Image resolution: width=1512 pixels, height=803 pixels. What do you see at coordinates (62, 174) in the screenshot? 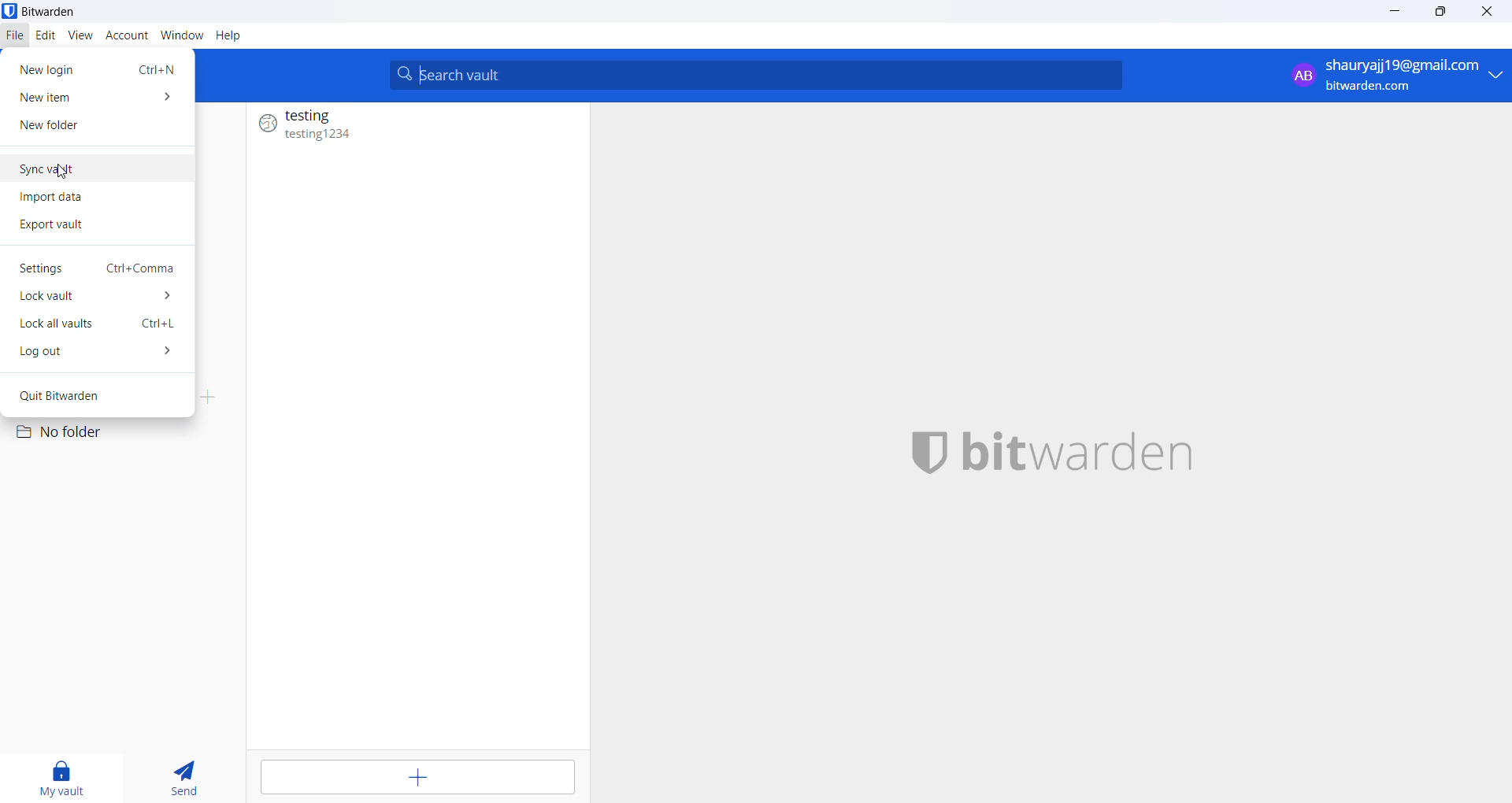
I see `cursor` at bounding box center [62, 174].